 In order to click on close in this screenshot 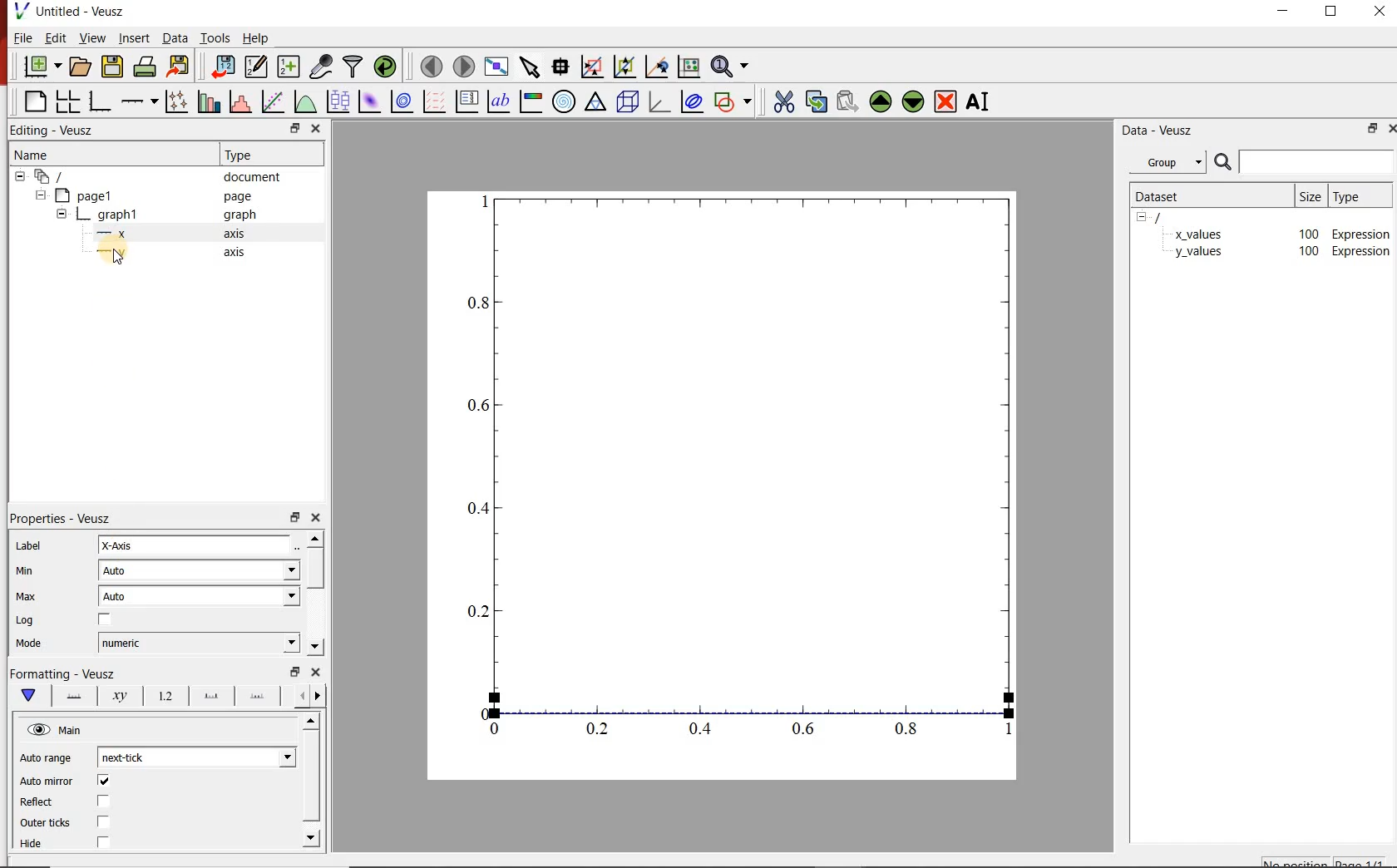, I will do `click(317, 671)`.